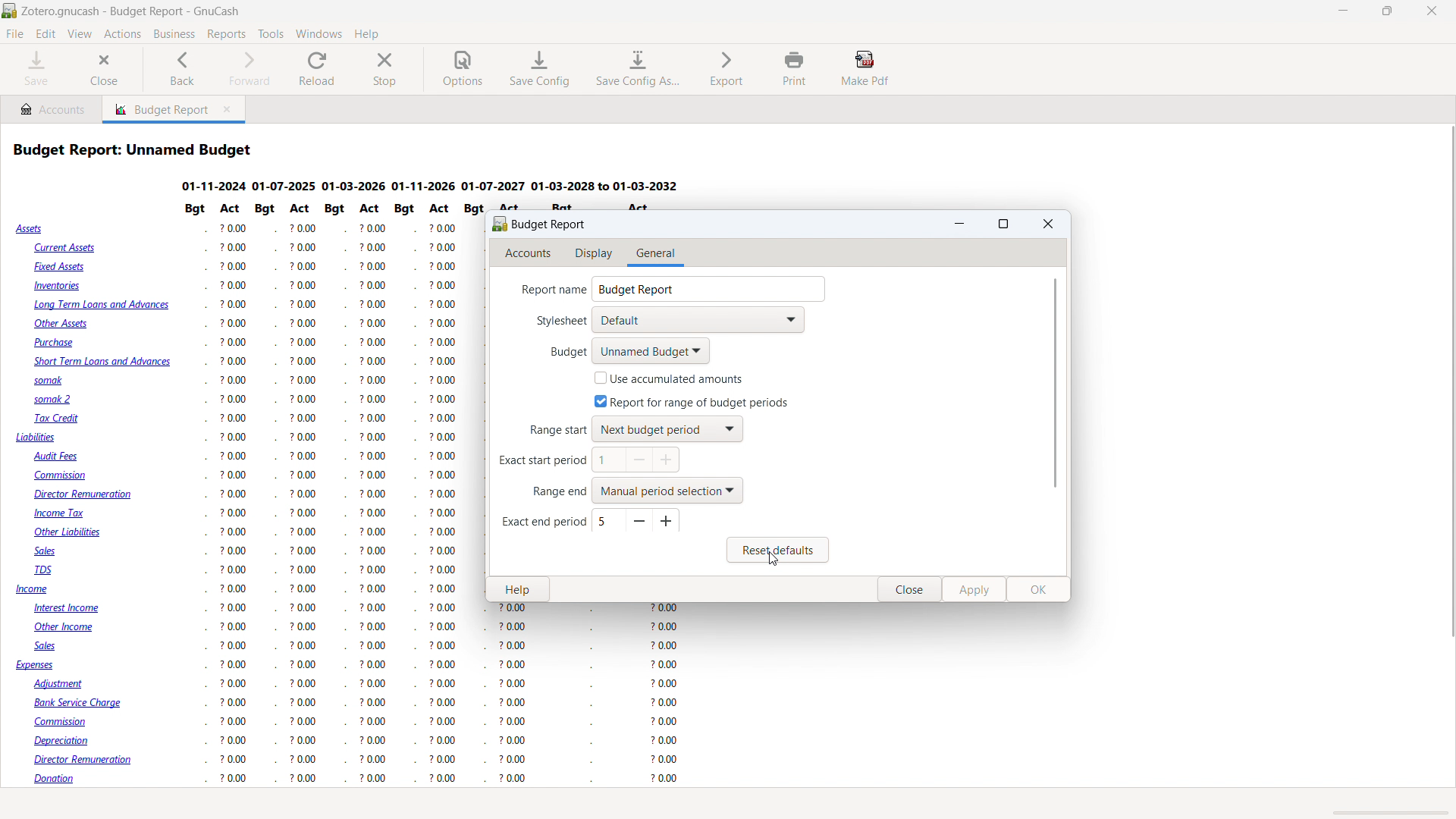 This screenshot has height=819, width=1456. I want to click on Adjustment, so click(65, 683).